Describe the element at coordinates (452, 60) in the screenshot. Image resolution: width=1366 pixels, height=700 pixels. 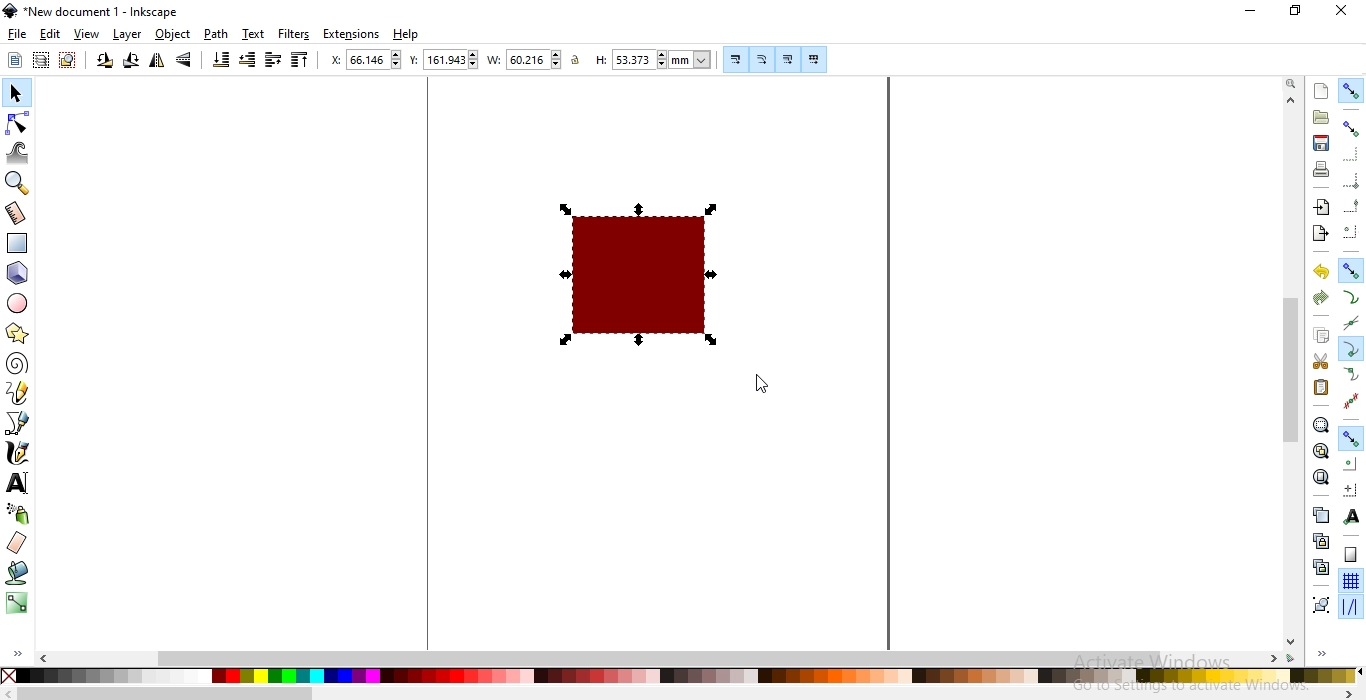
I see `161.943` at that location.